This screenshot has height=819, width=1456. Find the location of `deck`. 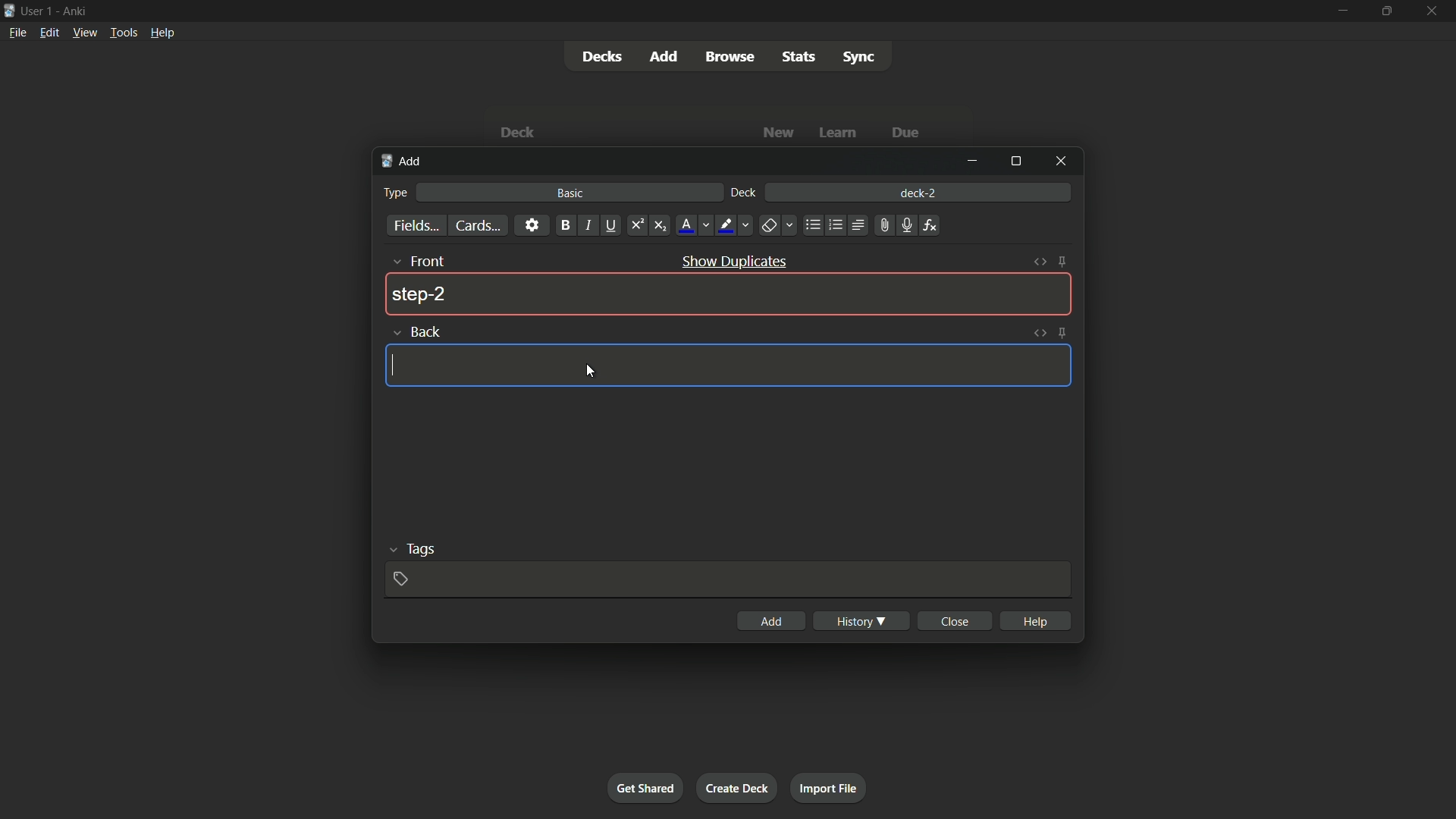

deck is located at coordinates (745, 193).